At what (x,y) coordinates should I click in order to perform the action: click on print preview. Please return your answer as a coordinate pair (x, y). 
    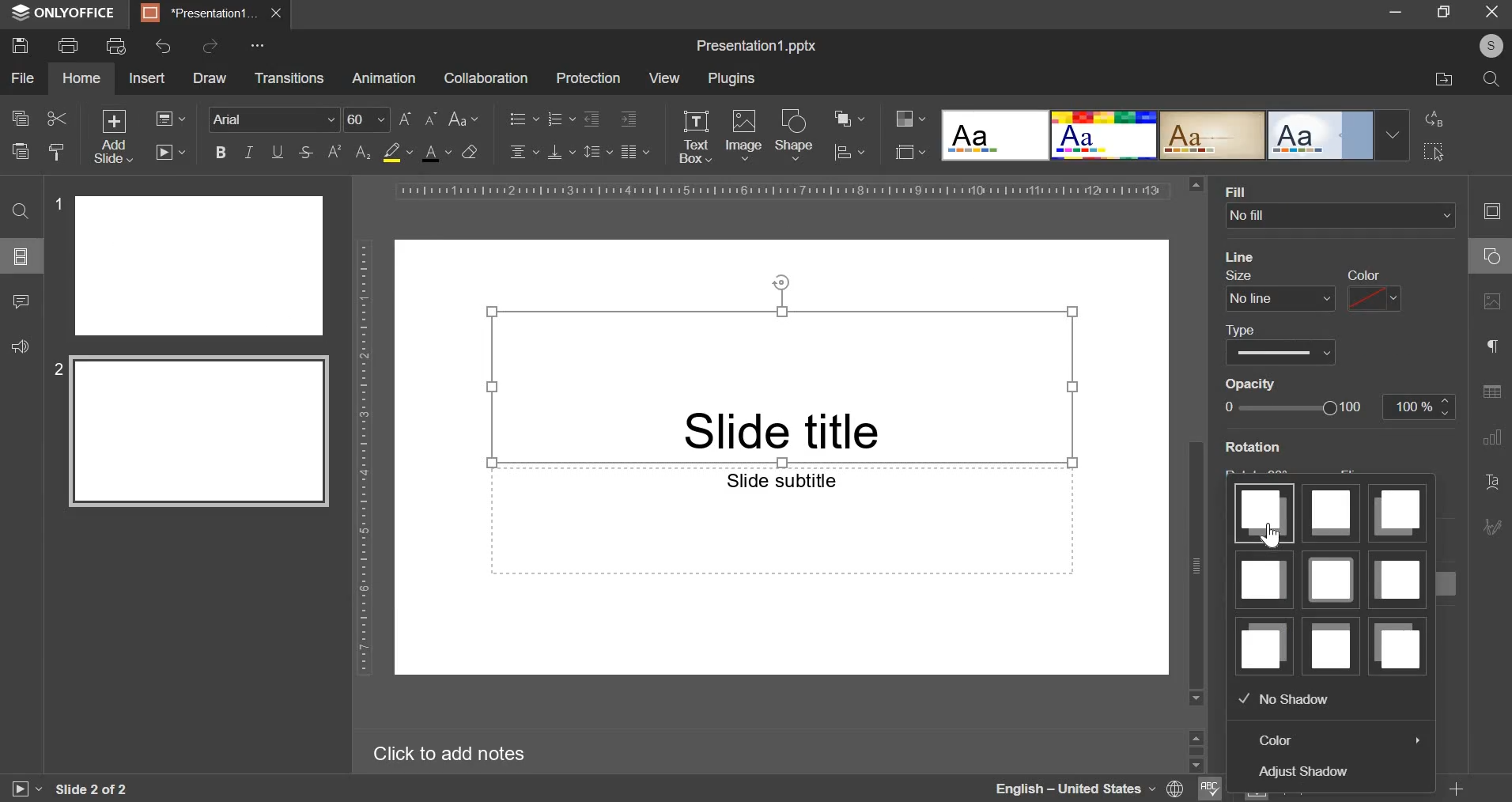
    Looking at the image, I should click on (116, 46).